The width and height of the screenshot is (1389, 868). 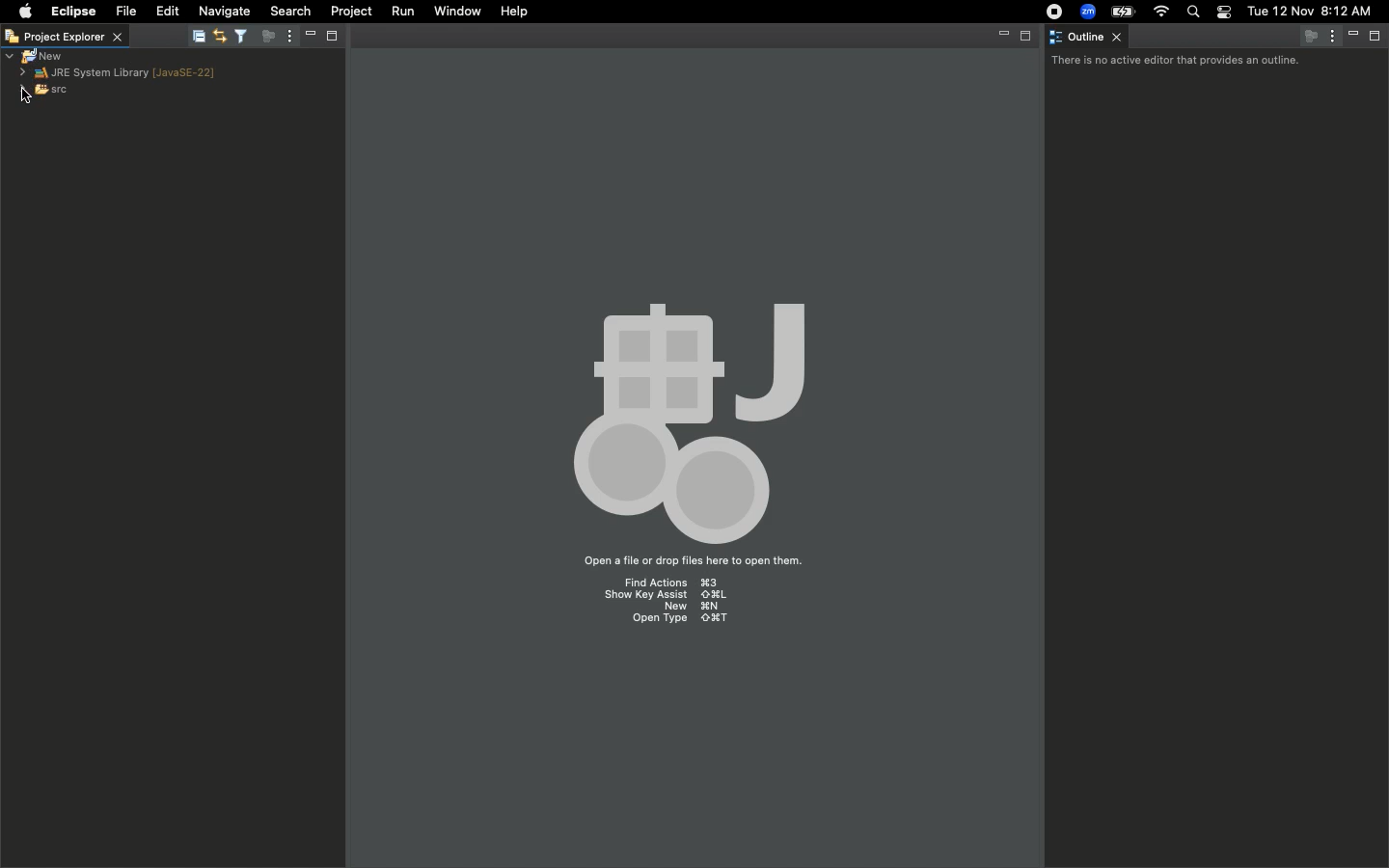 I want to click on Internet, so click(x=1159, y=13).